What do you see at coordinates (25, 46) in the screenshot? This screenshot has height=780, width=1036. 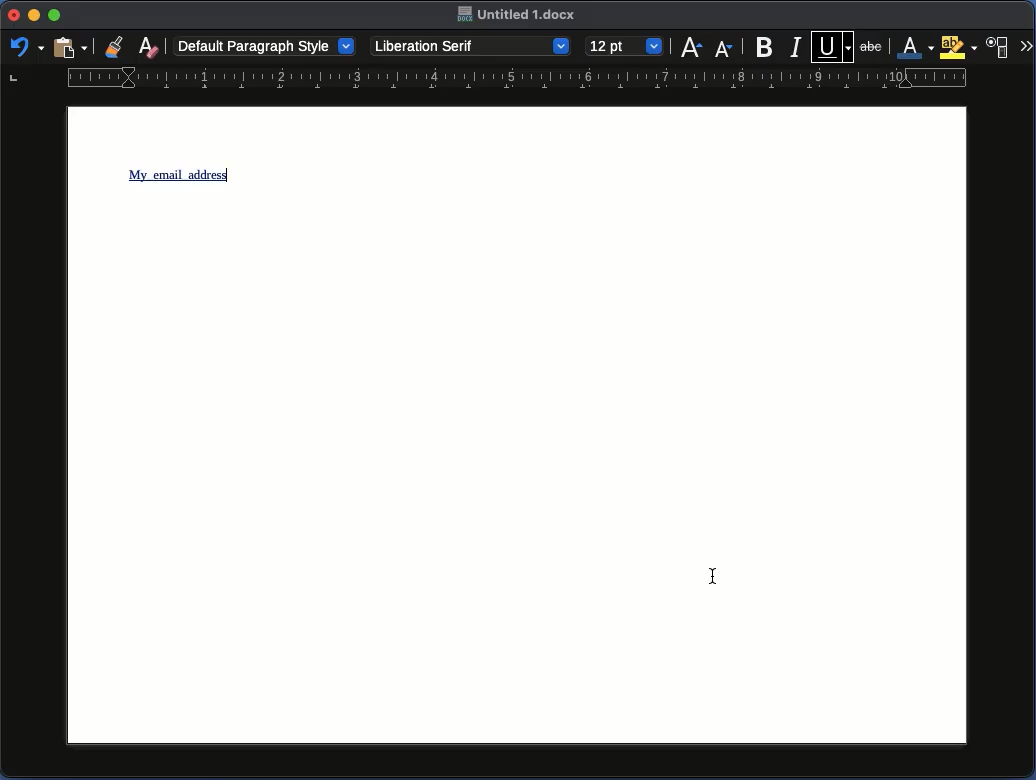 I see `Redo` at bounding box center [25, 46].